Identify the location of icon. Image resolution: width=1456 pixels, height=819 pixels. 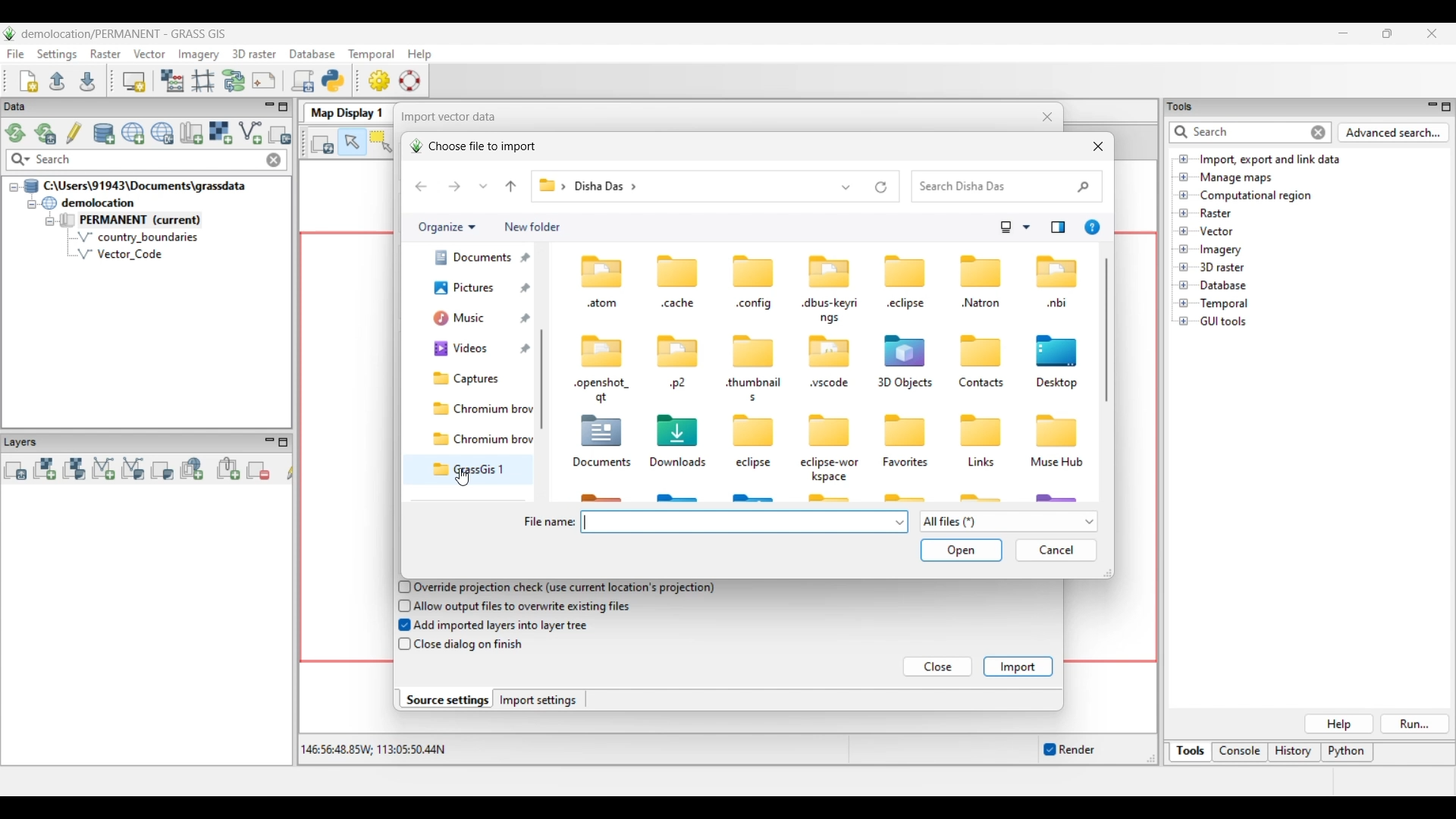
(903, 428).